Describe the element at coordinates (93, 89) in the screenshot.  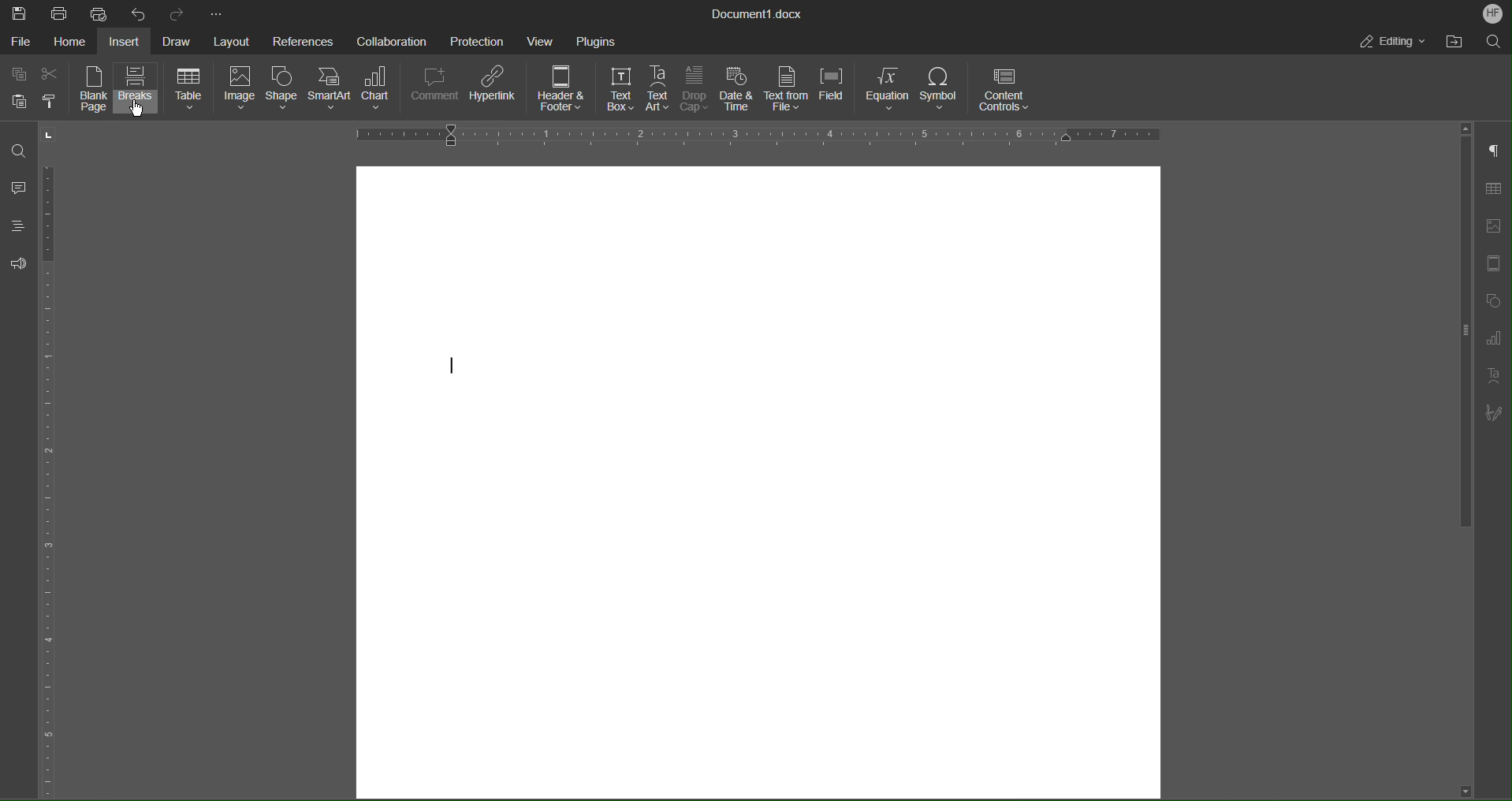
I see `Blank Page` at that location.